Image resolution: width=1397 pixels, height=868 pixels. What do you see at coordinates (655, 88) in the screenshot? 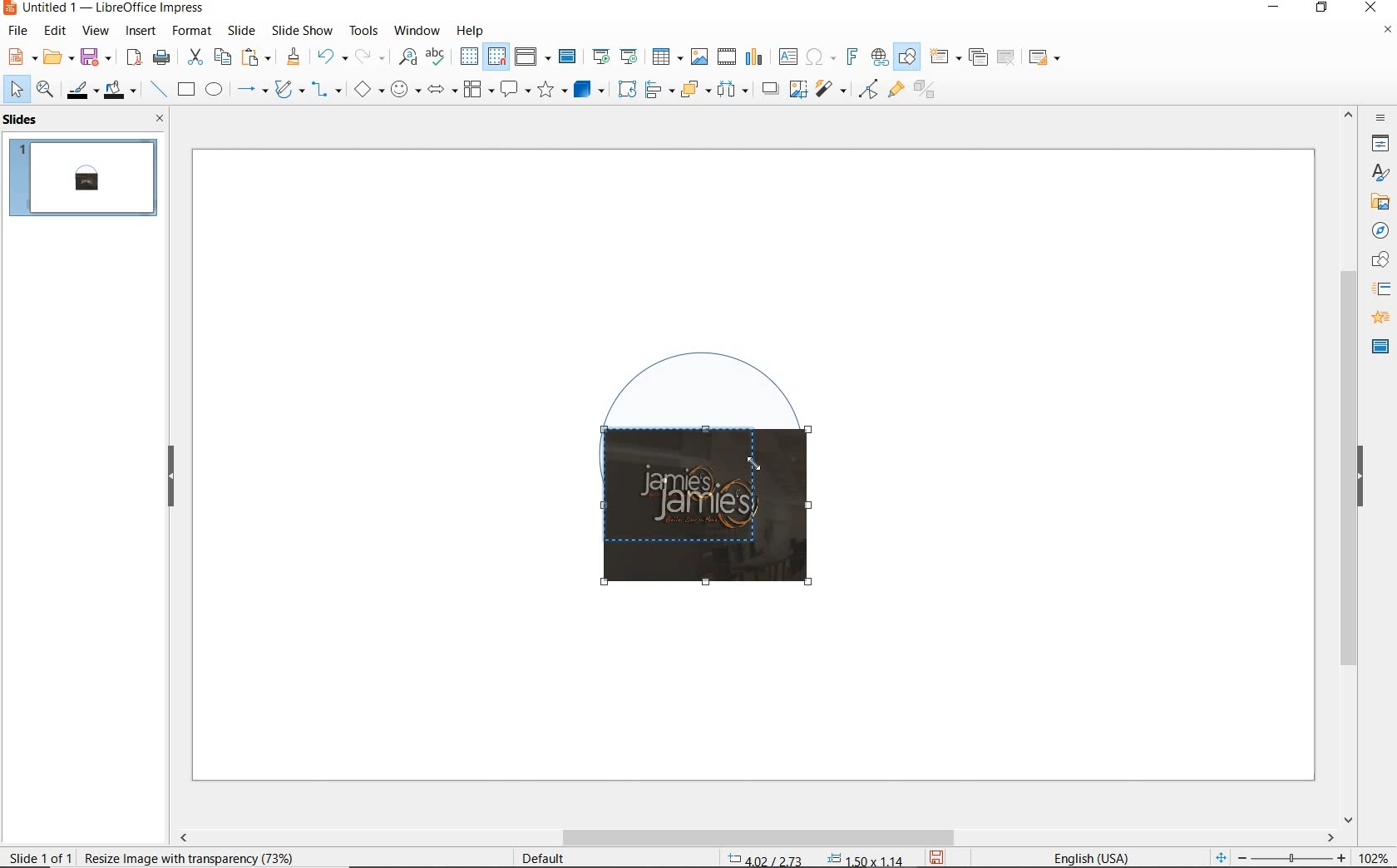
I see `align objects` at bounding box center [655, 88].